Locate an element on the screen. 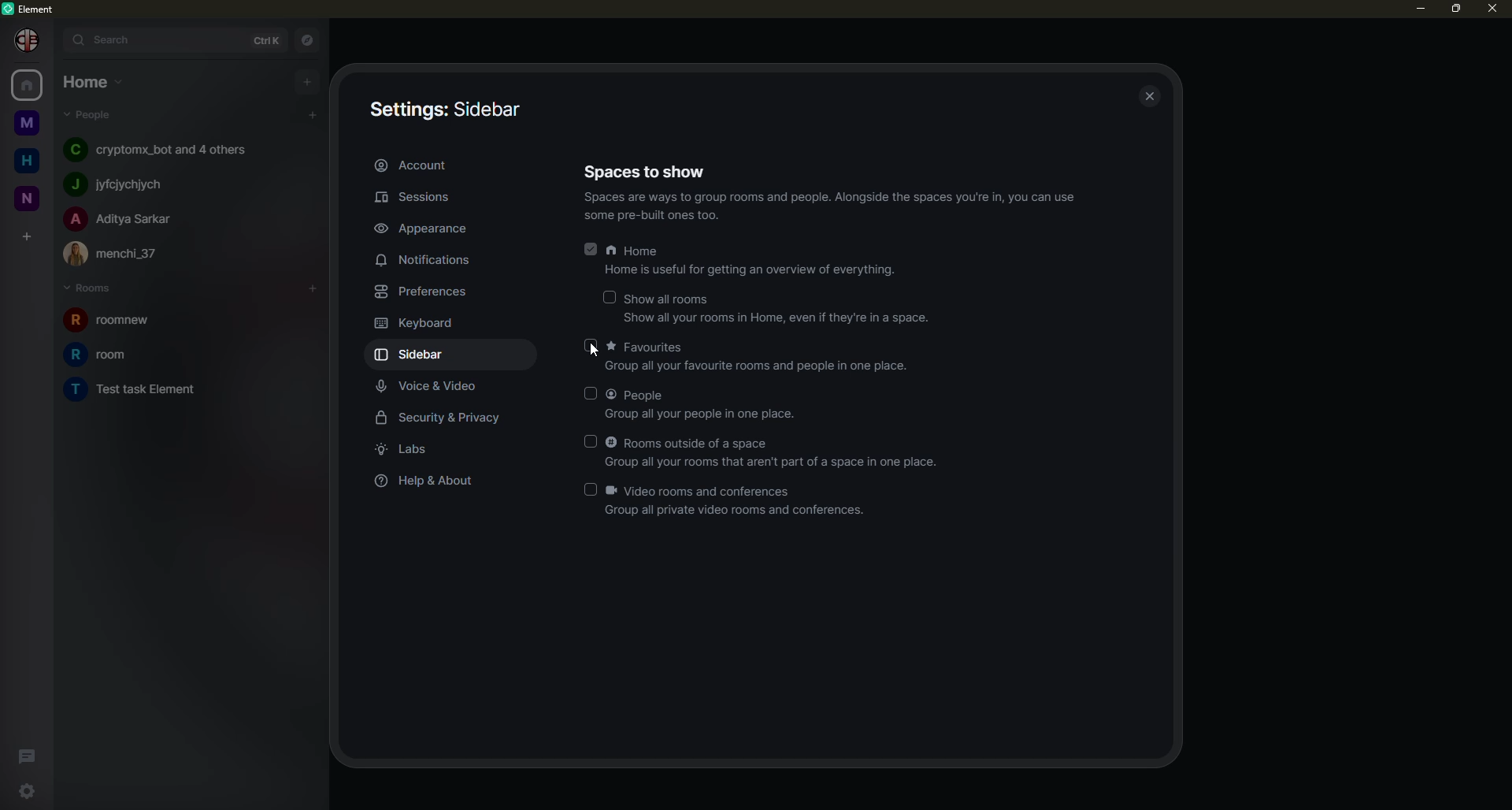  enabled is located at coordinates (589, 254).